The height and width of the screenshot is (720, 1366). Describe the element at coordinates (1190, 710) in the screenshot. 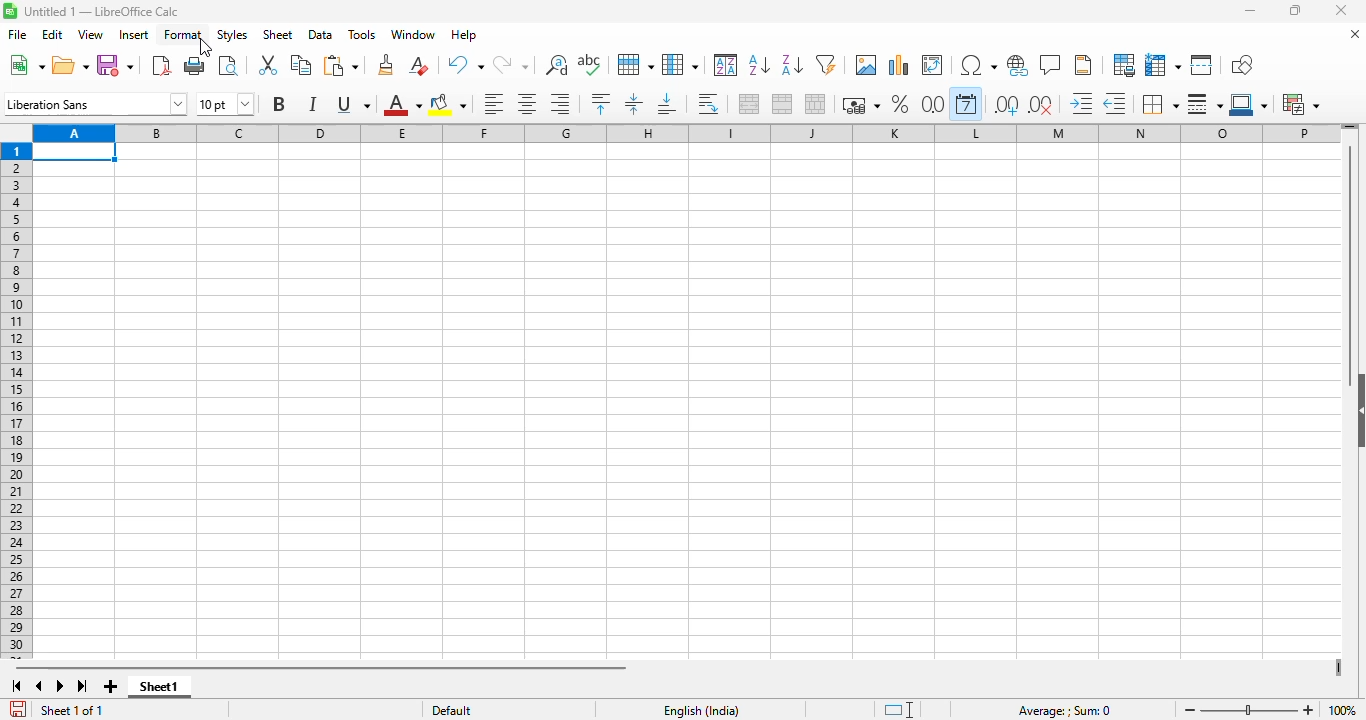

I see `zoom out` at that location.